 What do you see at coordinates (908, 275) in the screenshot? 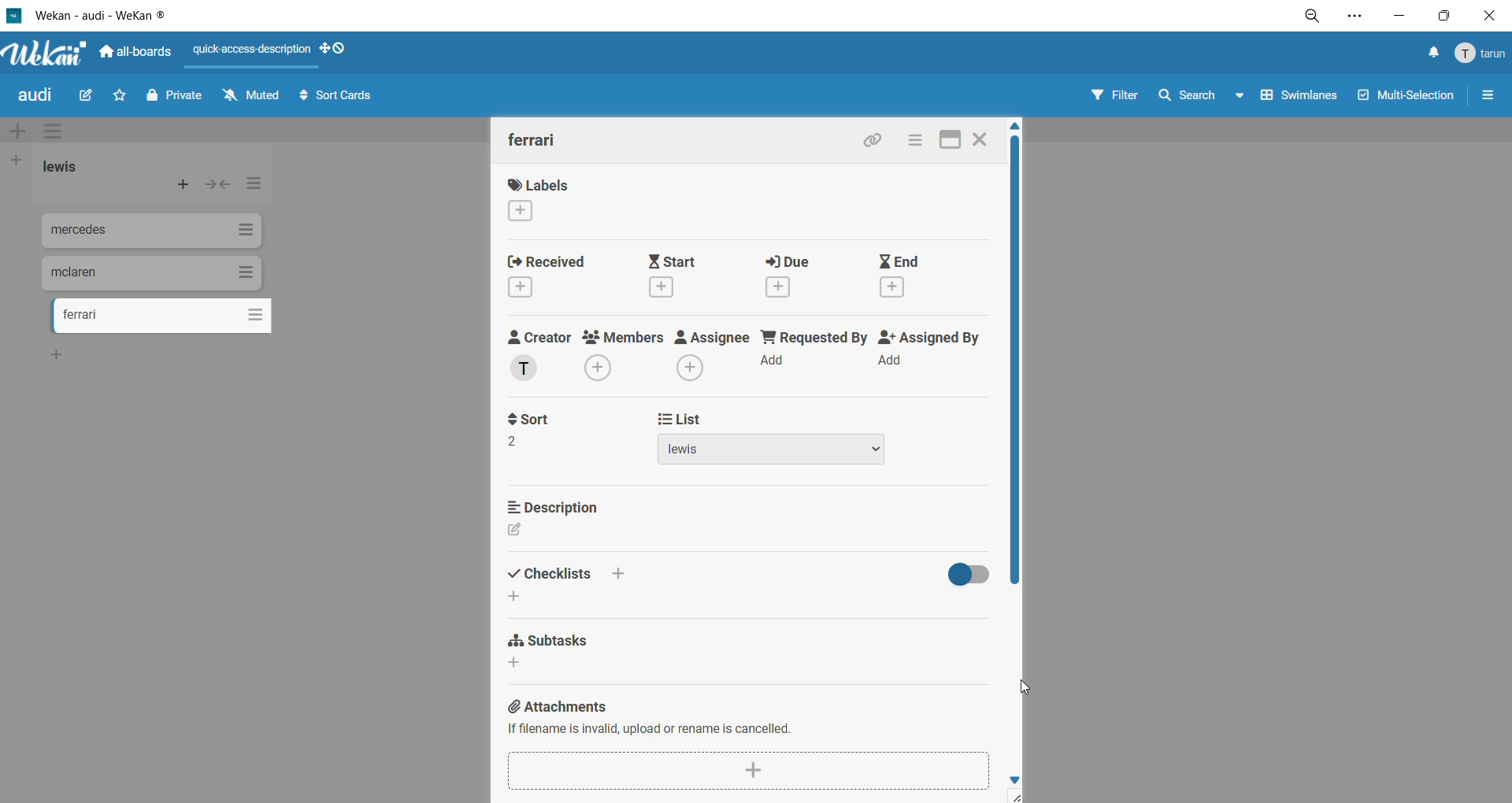
I see `end` at bounding box center [908, 275].